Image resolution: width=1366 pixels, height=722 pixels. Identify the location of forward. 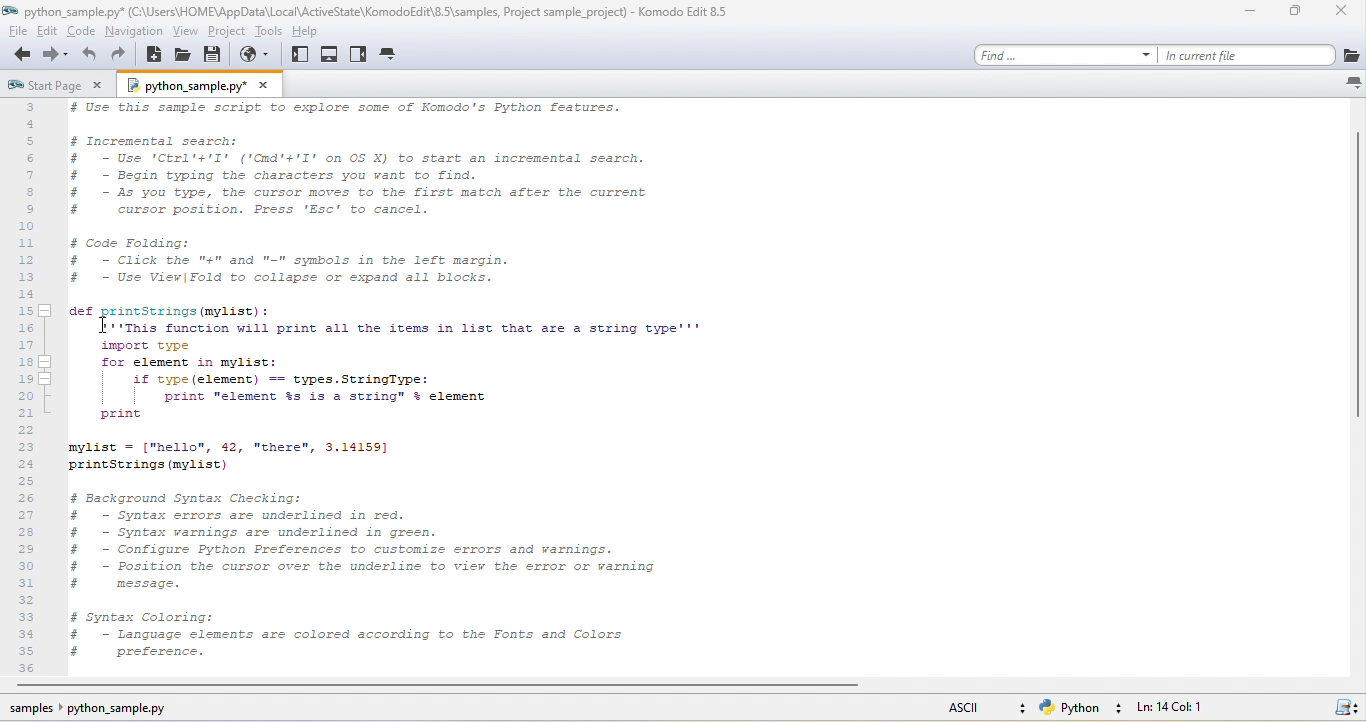
(54, 55).